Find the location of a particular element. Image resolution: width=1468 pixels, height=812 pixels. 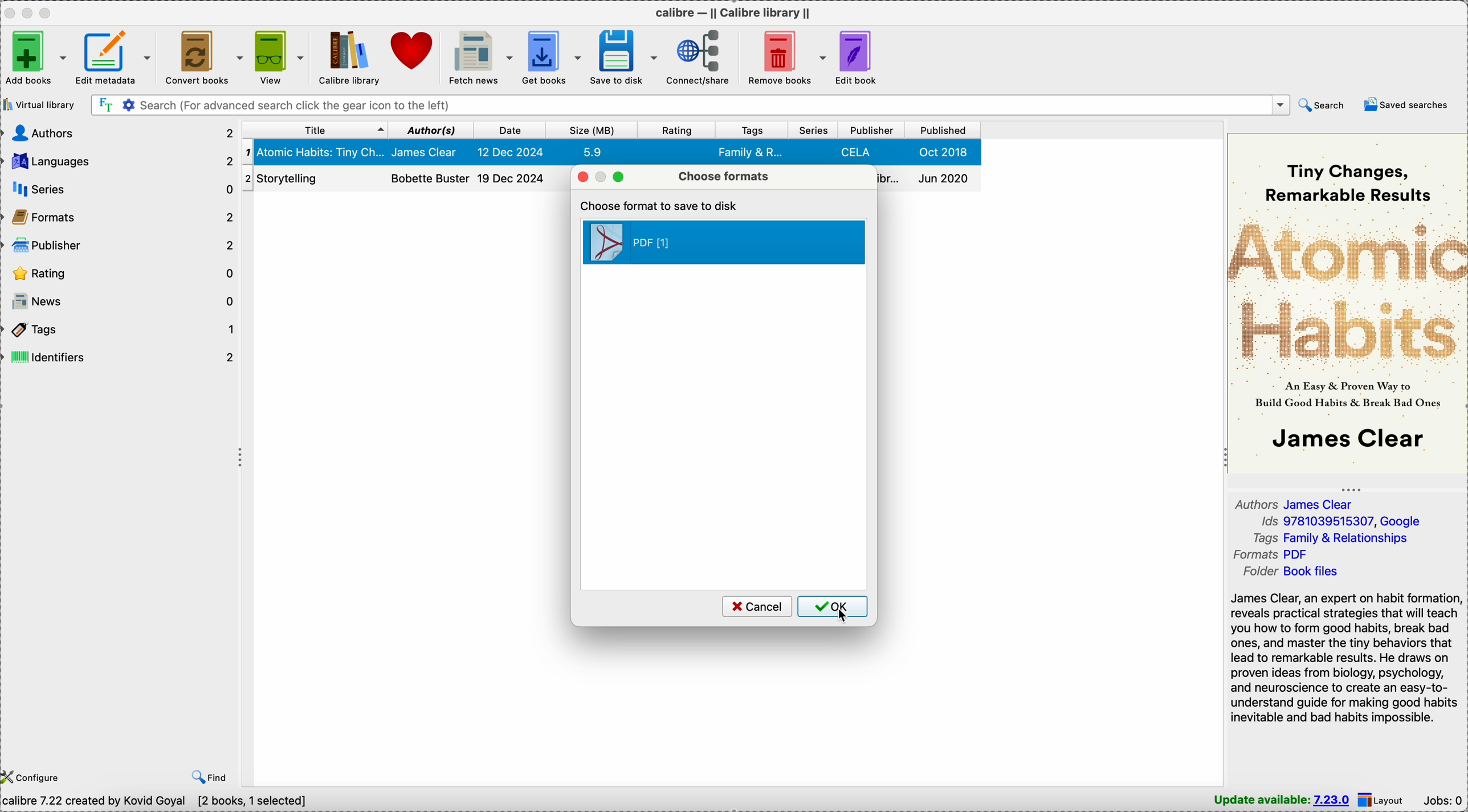

choose format to save to disk is located at coordinates (662, 205).